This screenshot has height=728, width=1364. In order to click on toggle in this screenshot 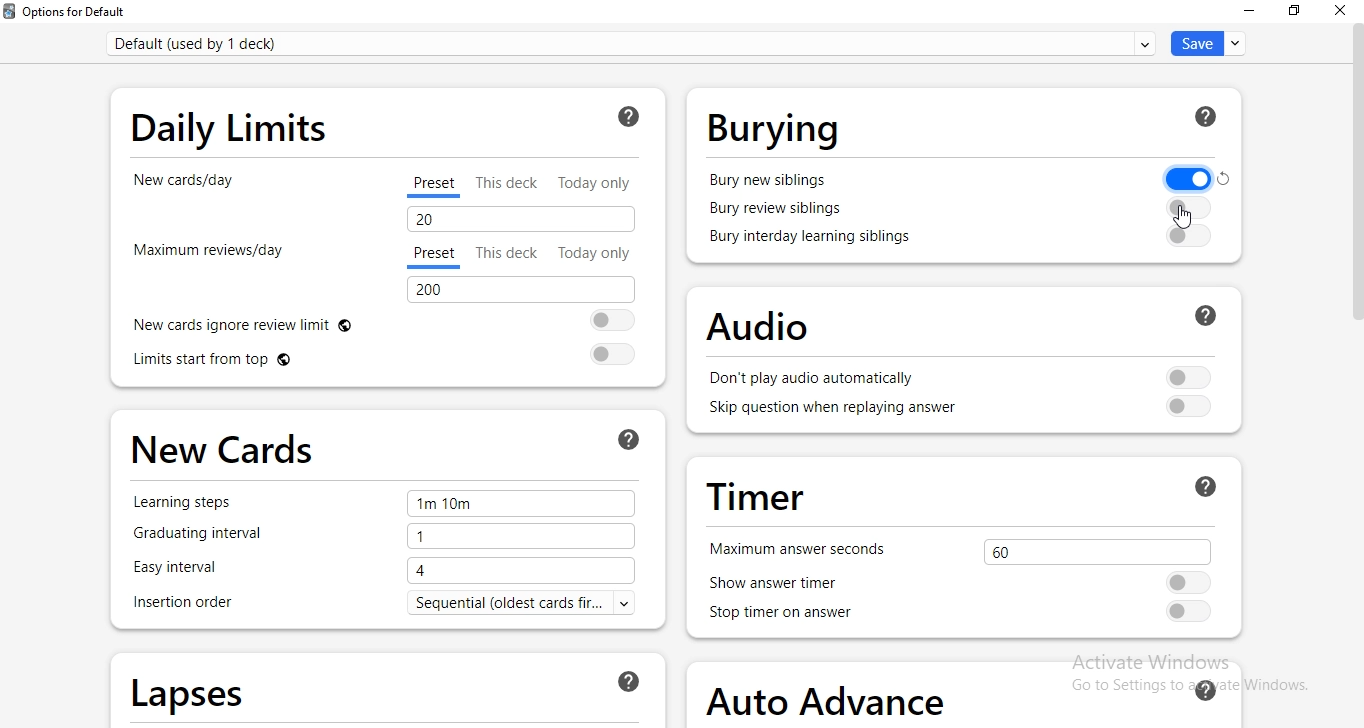, I will do `click(1188, 408)`.